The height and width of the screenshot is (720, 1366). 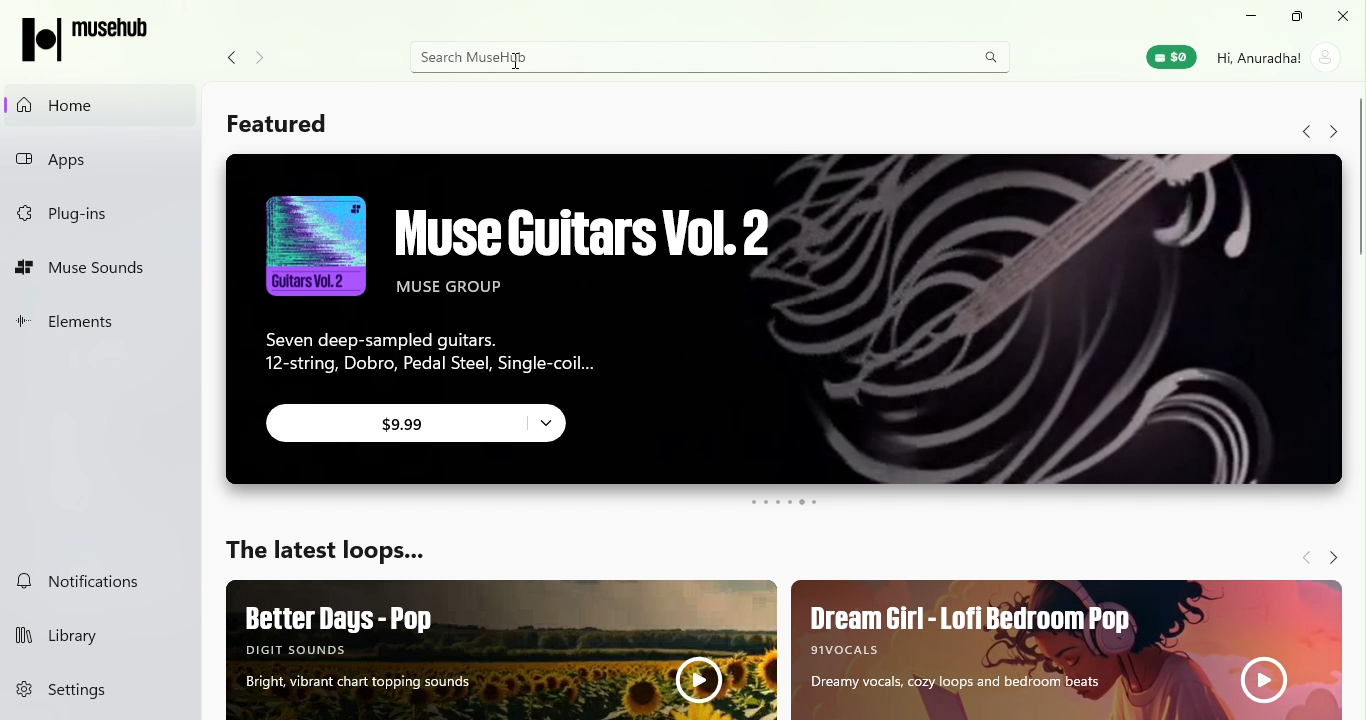 What do you see at coordinates (775, 323) in the screenshot?
I see `Ad` at bounding box center [775, 323].